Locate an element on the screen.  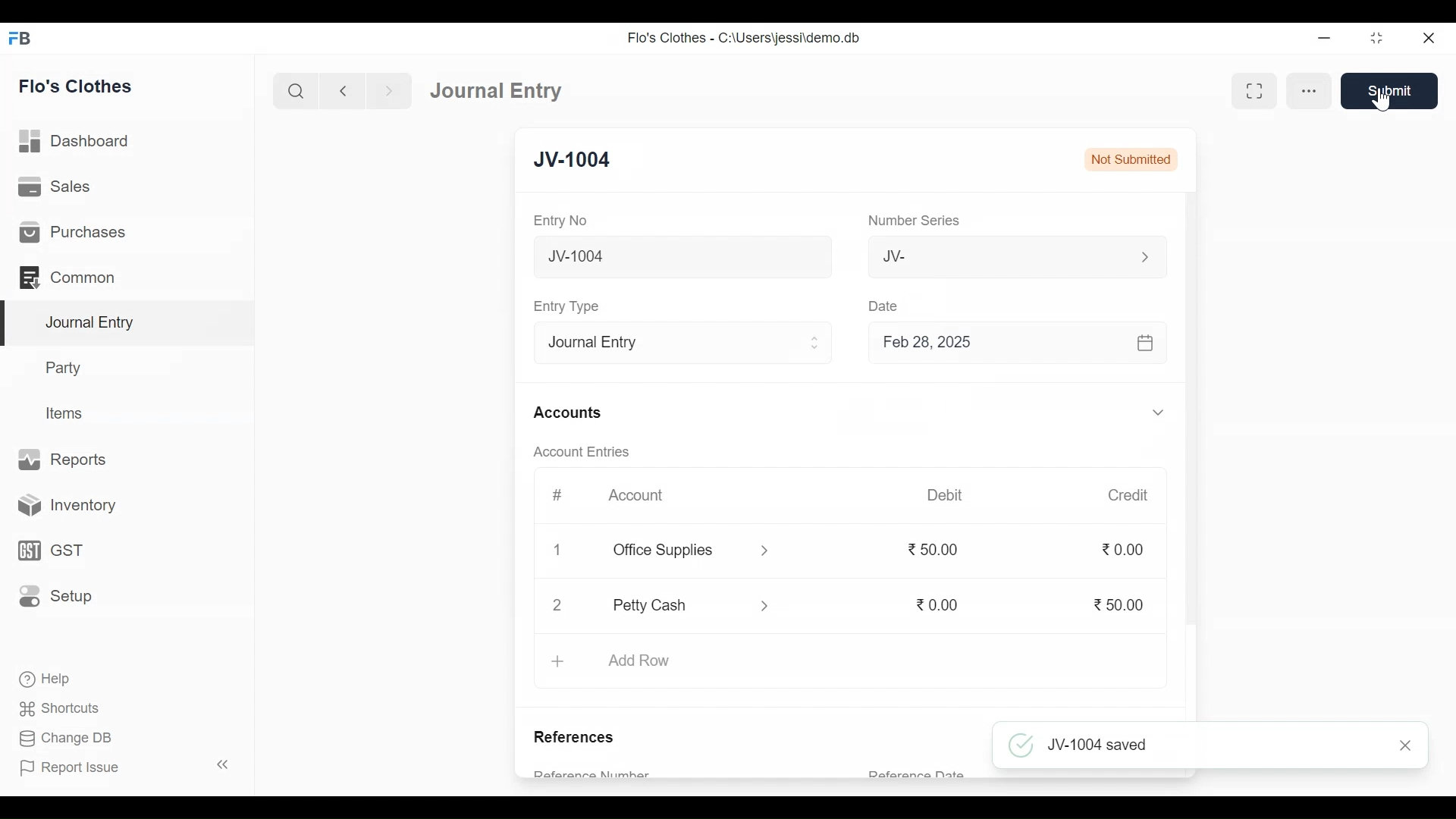
0.00 is located at coordinates (1126, 551).